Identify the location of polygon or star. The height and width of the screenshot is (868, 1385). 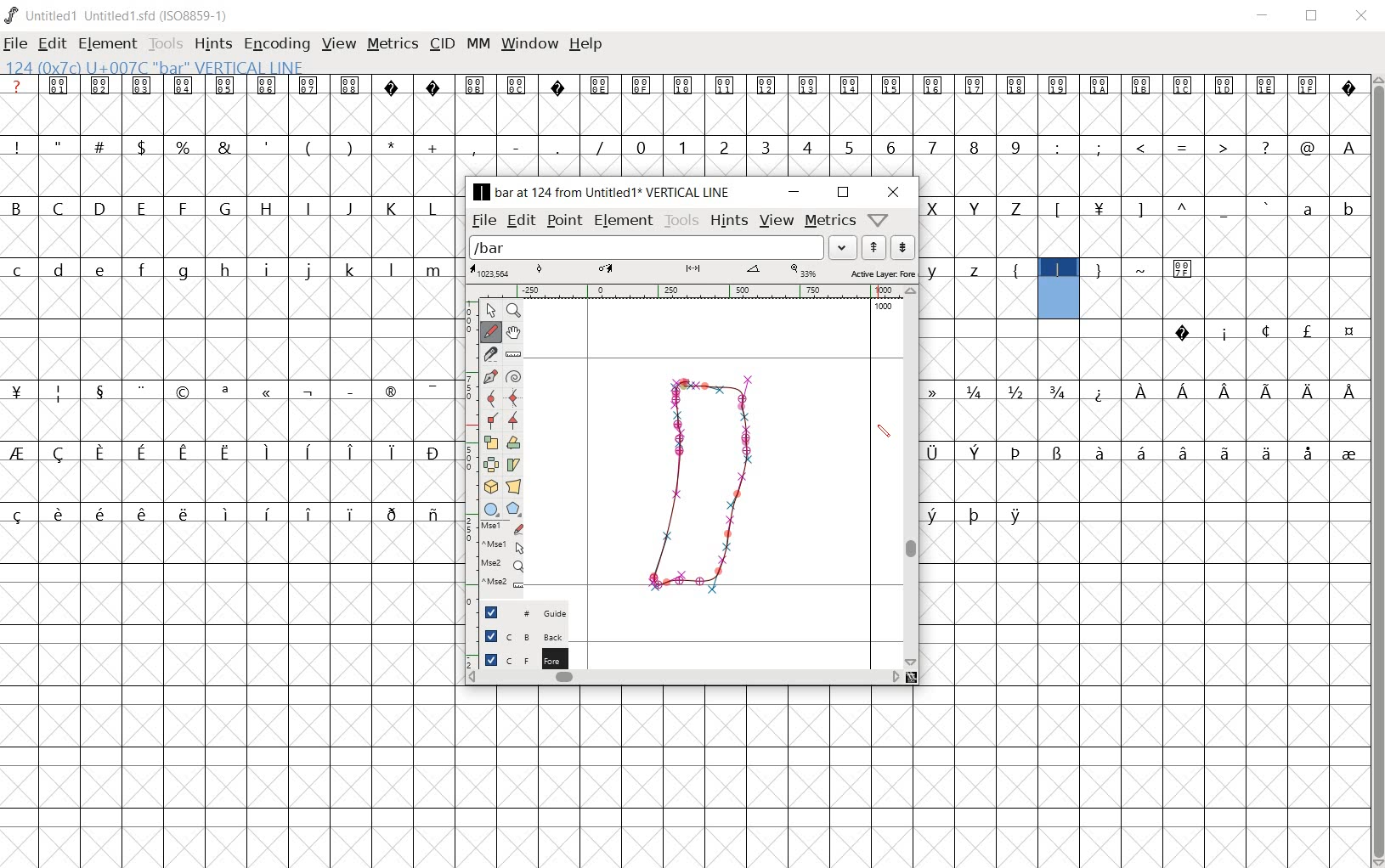
(516, 509).